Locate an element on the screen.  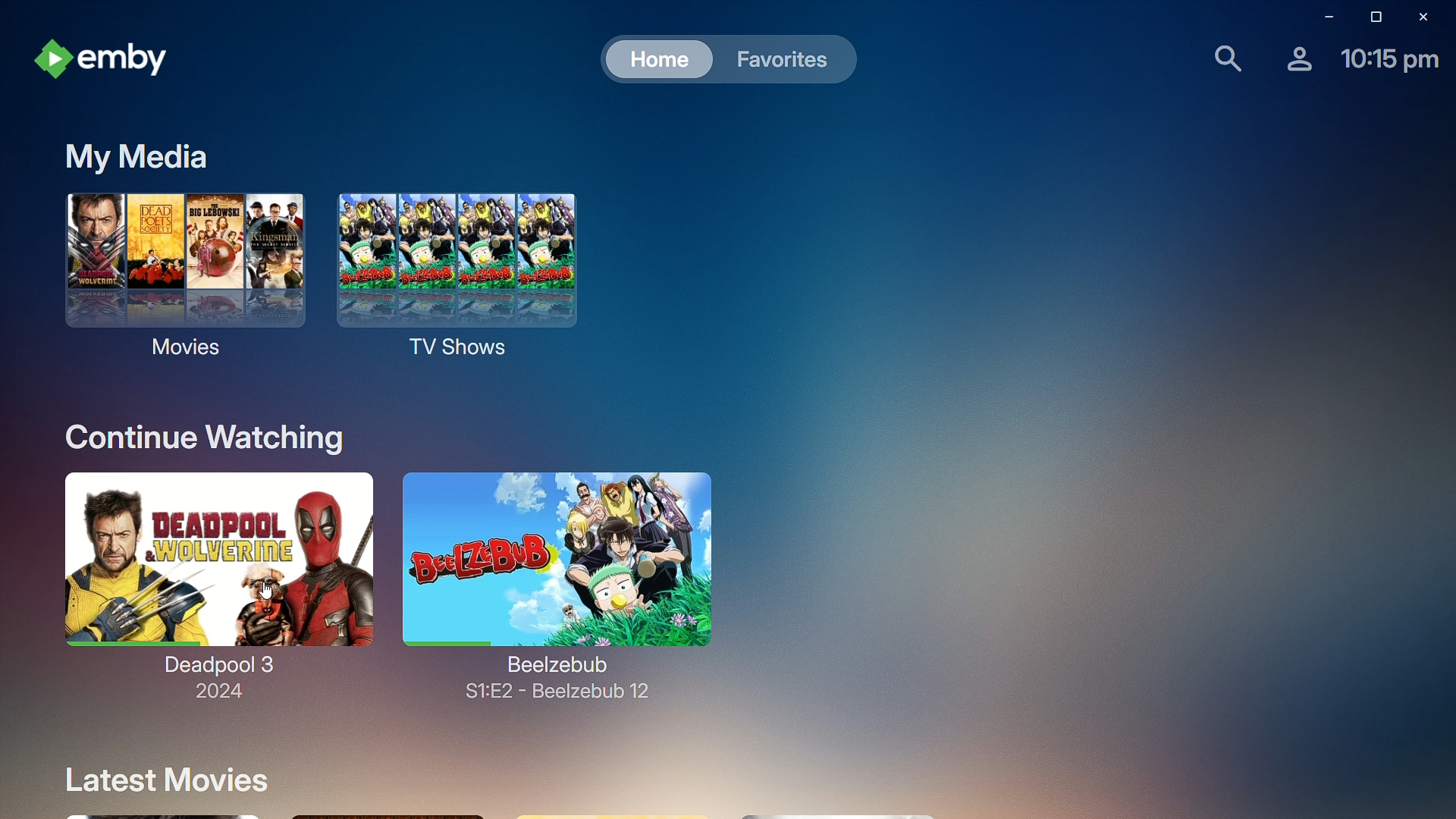
Account is located at coordinates (1292, 61).